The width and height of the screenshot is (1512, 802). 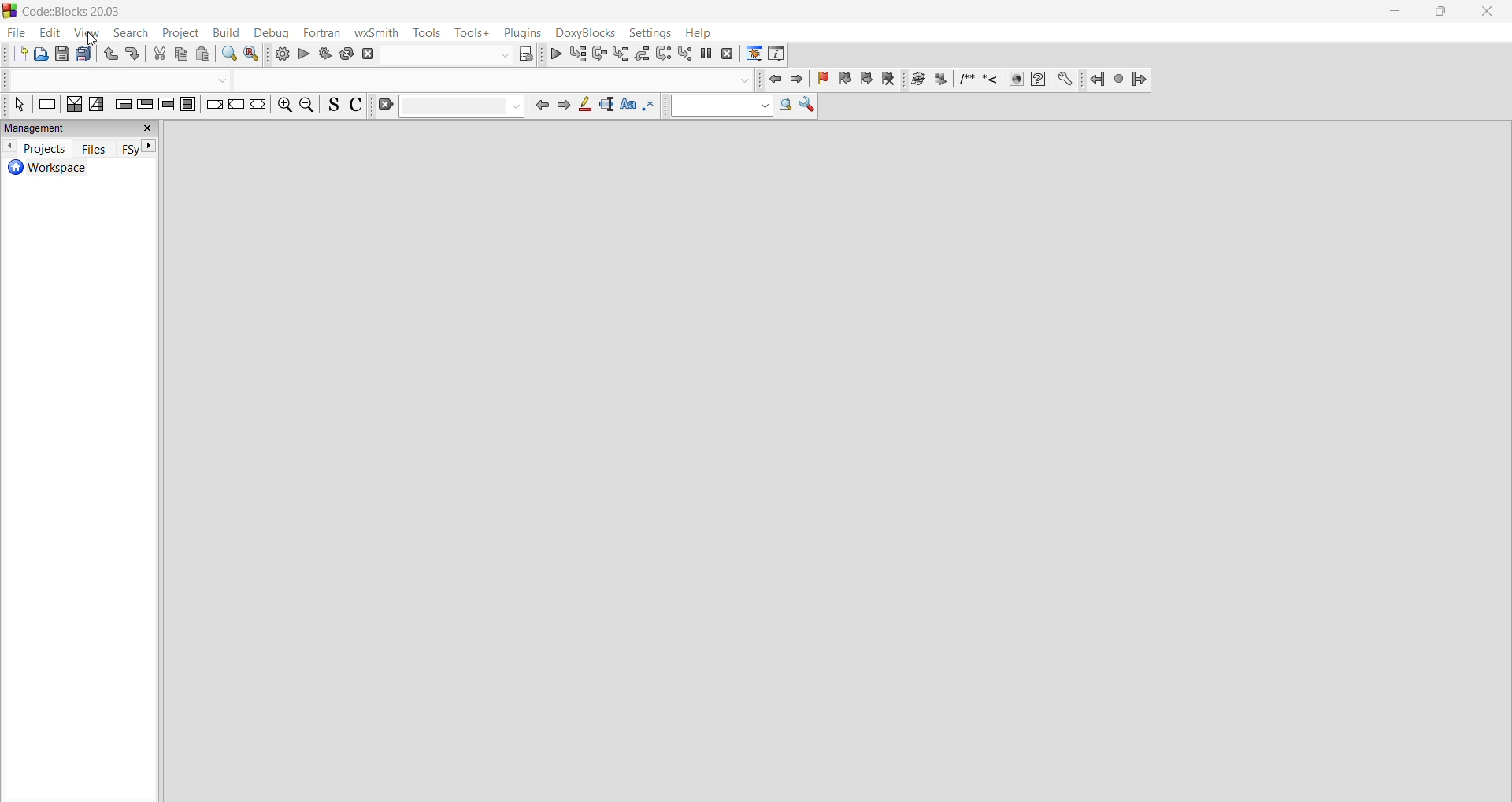 I want to click on FSy, so click(x=128, y=150).